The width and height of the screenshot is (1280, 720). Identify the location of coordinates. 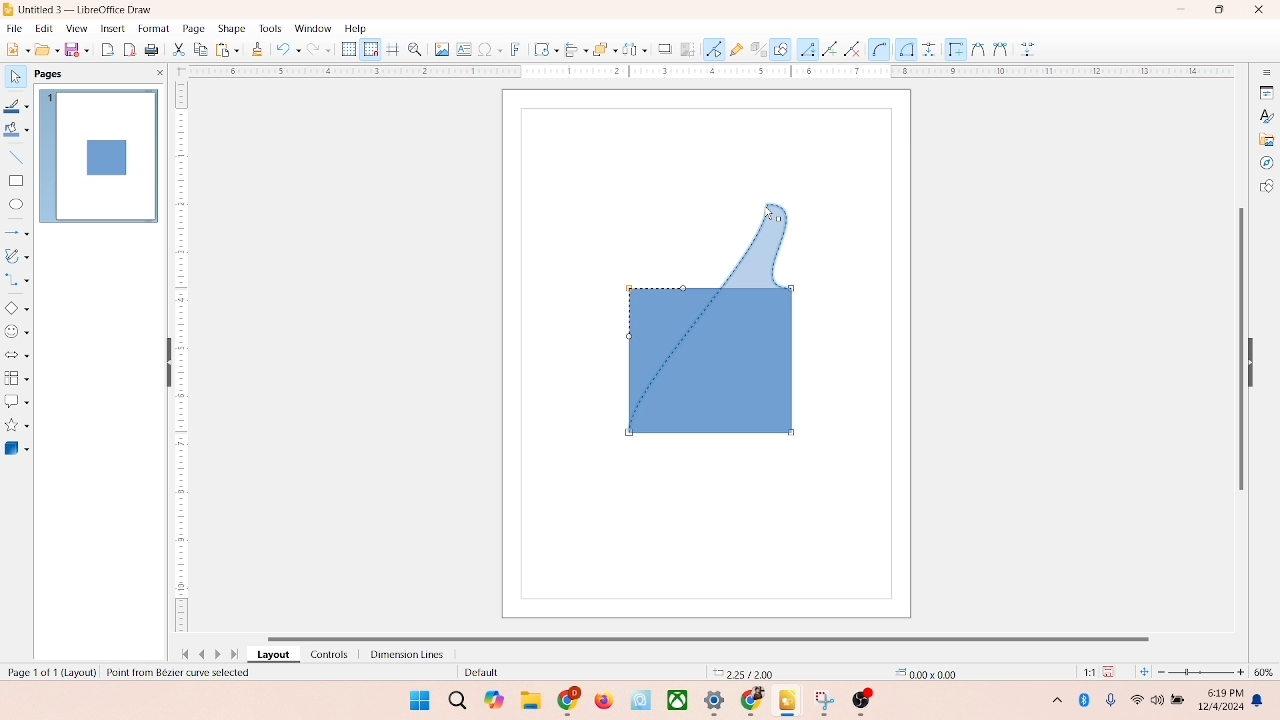
(737, 671).